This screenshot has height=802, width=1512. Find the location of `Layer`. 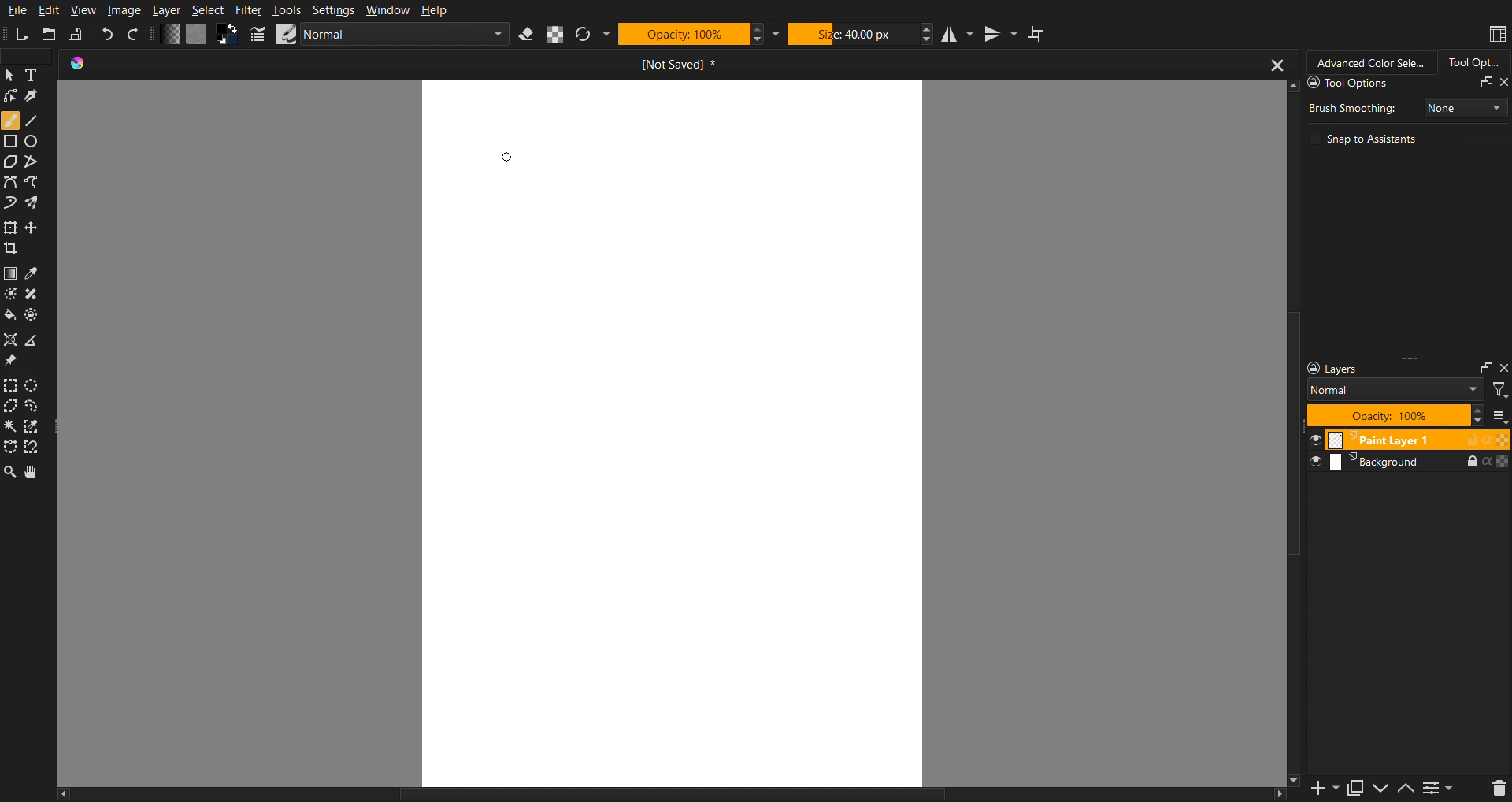

Layer is located at coordinates (167, 9).